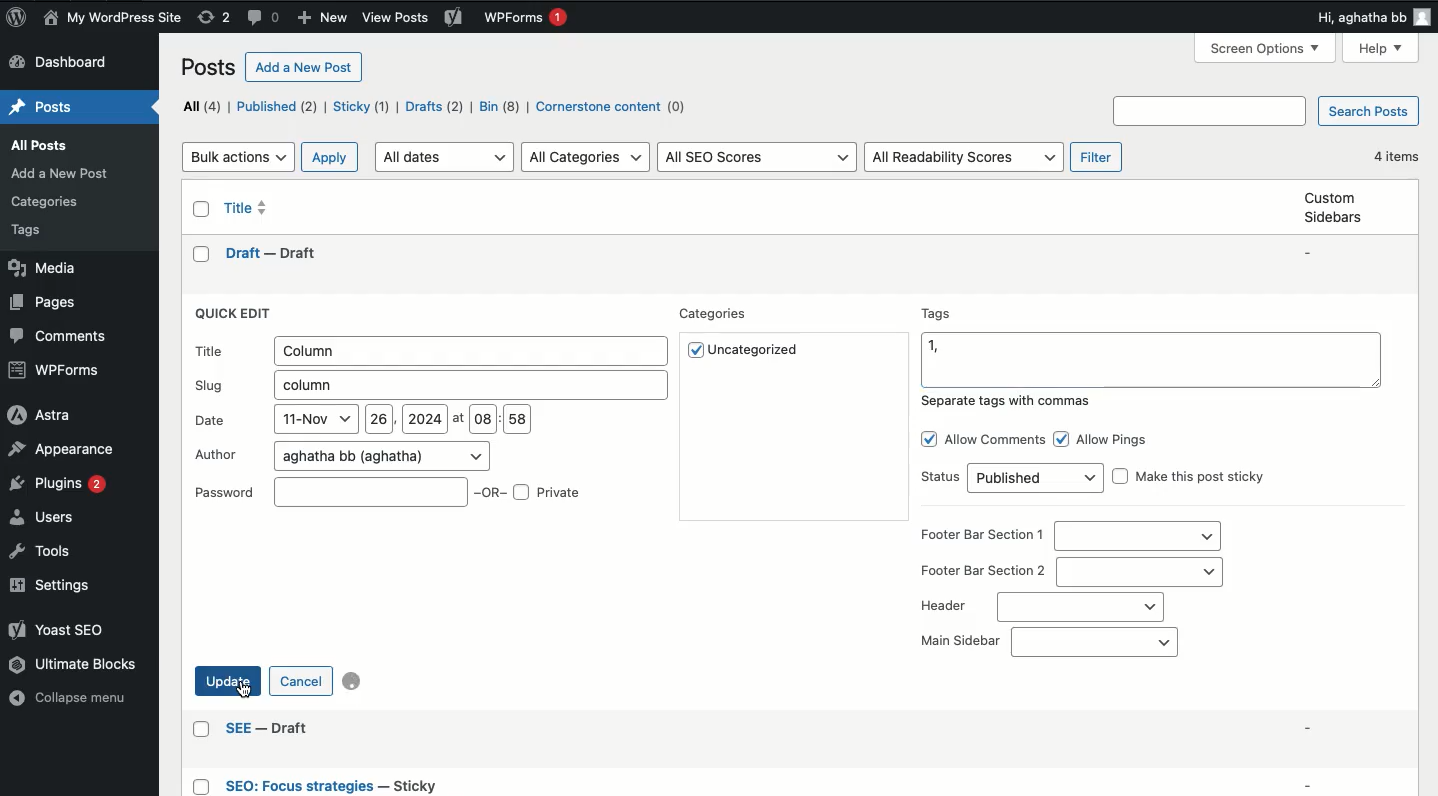  What do you see at coordinates (1208, 111) in the screenshot?
I see `` at bounding box center [1208, 111].